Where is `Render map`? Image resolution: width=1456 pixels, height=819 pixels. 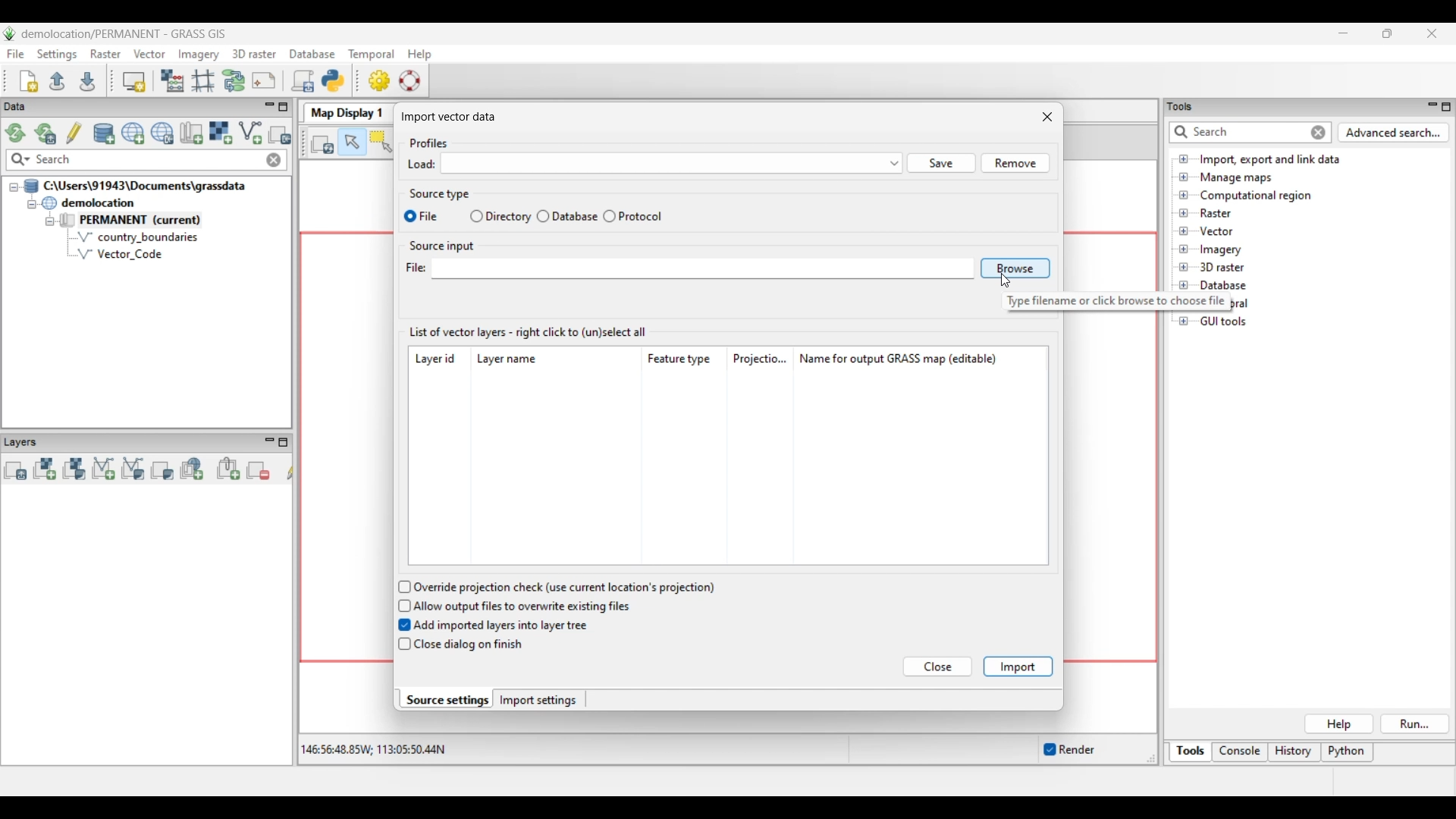
Render map is located at coordinates (320, 143).